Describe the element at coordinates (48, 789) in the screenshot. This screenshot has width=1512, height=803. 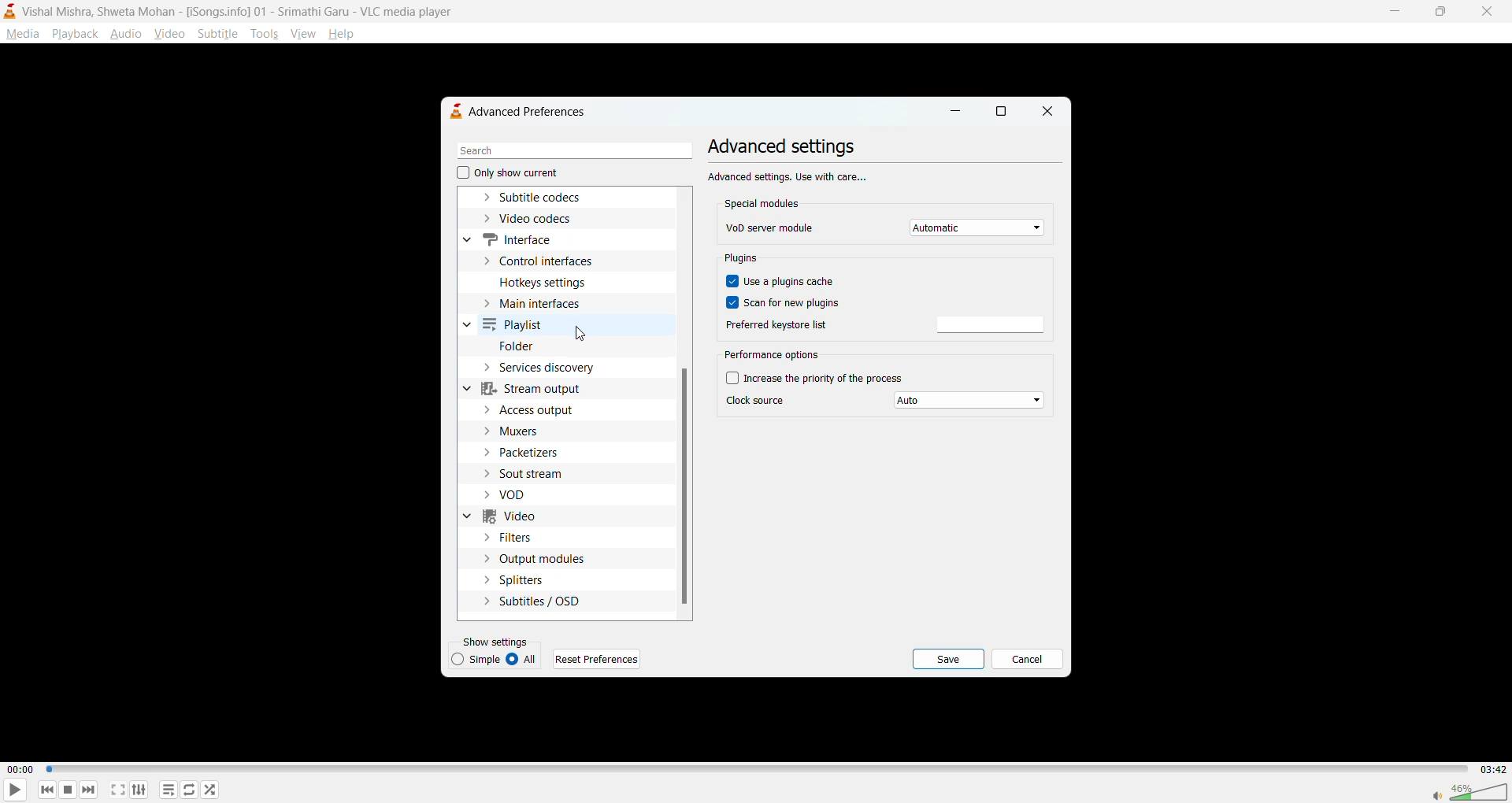
I see `previous` at that location.